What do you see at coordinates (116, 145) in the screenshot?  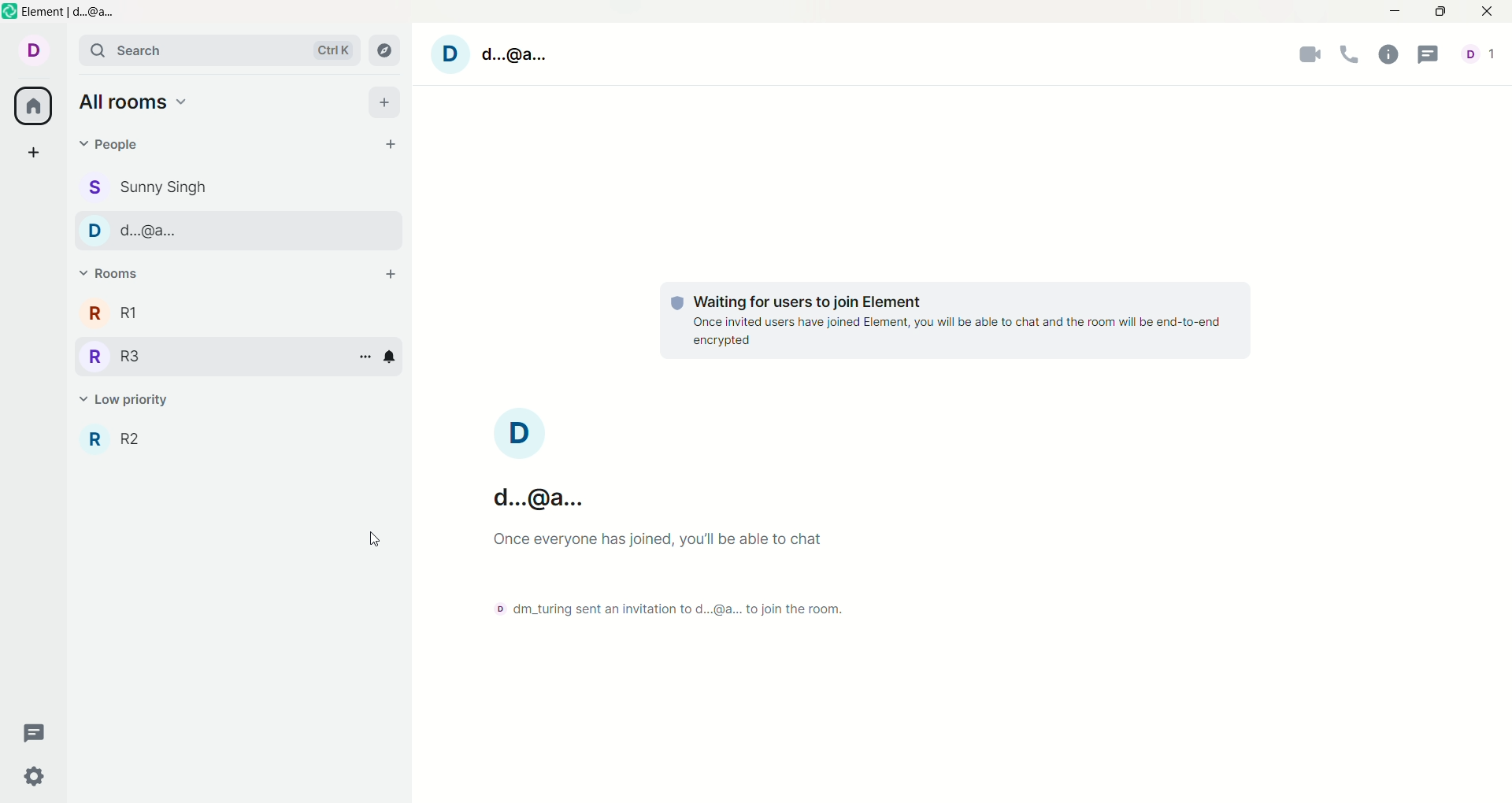 I see `people` at bounding box center [116, 145].